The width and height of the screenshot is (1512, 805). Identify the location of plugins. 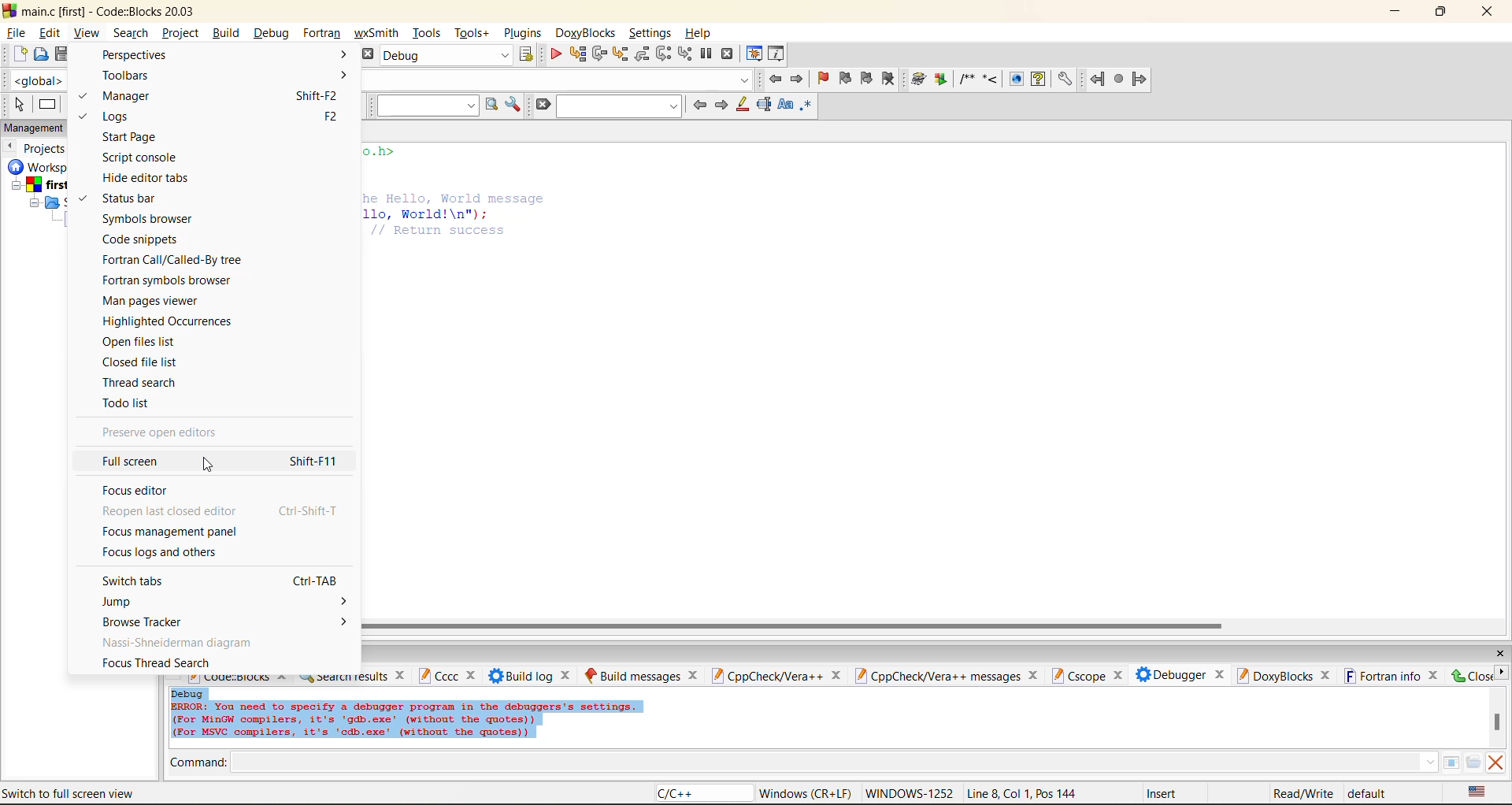
(523, 32).